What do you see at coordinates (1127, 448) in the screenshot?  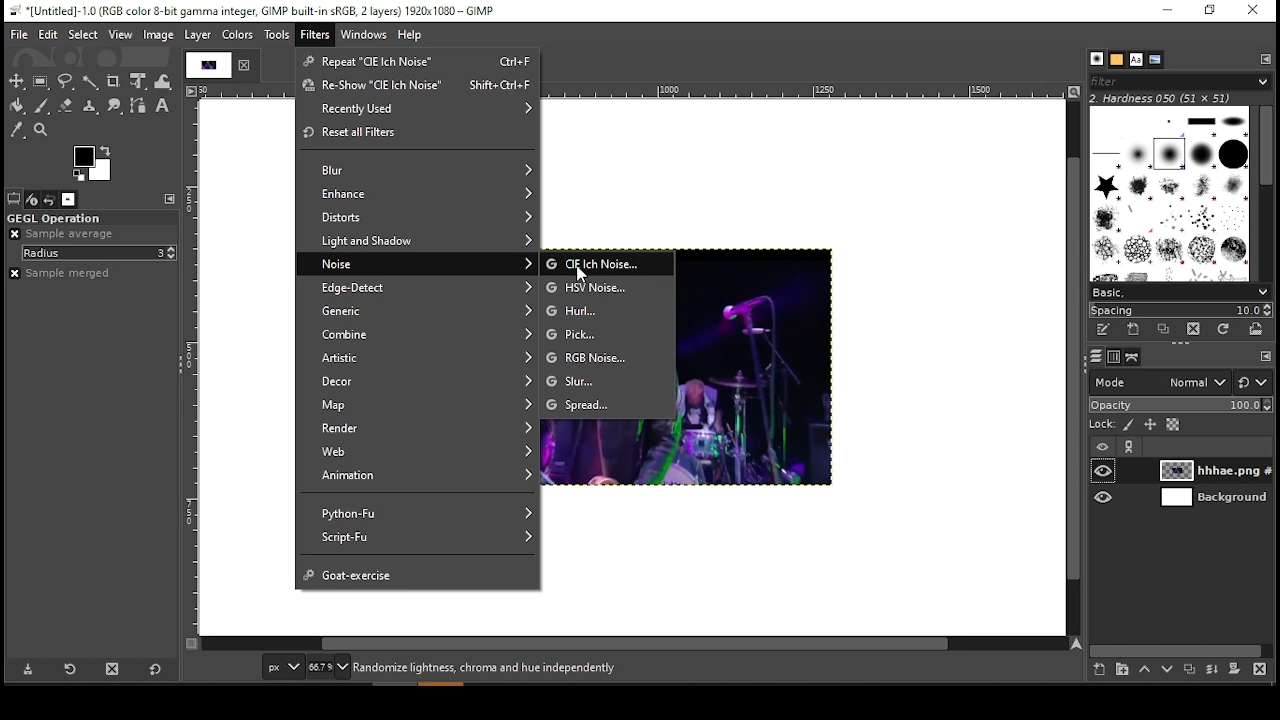 I see `link` at bounding box center [1127, 448].